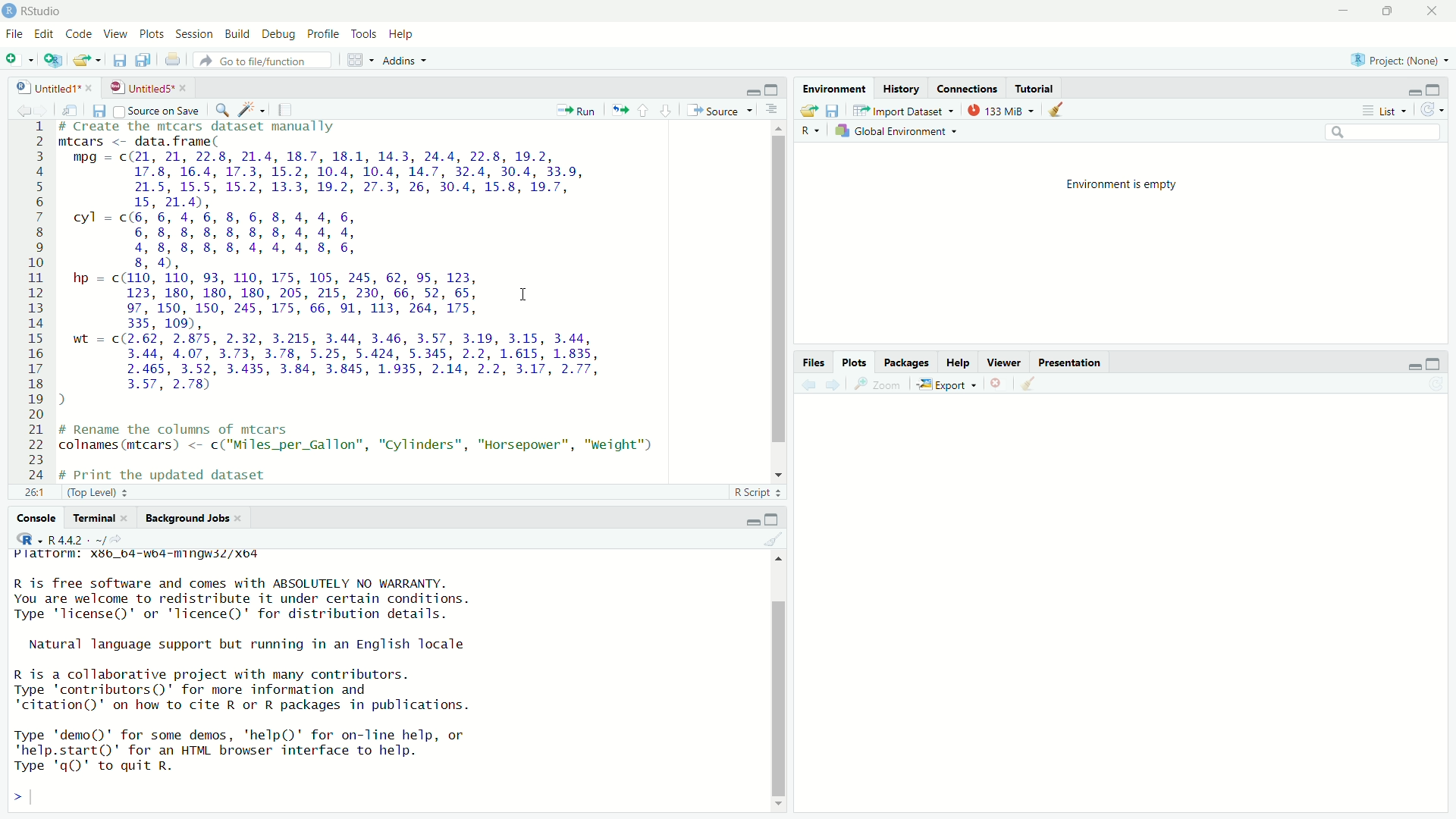 The height and width of the screenshot is (819, 1456). What do you see at coordinates (279, 35) in the screenshot?
I see `Debug` at bounding box center [279, 35].